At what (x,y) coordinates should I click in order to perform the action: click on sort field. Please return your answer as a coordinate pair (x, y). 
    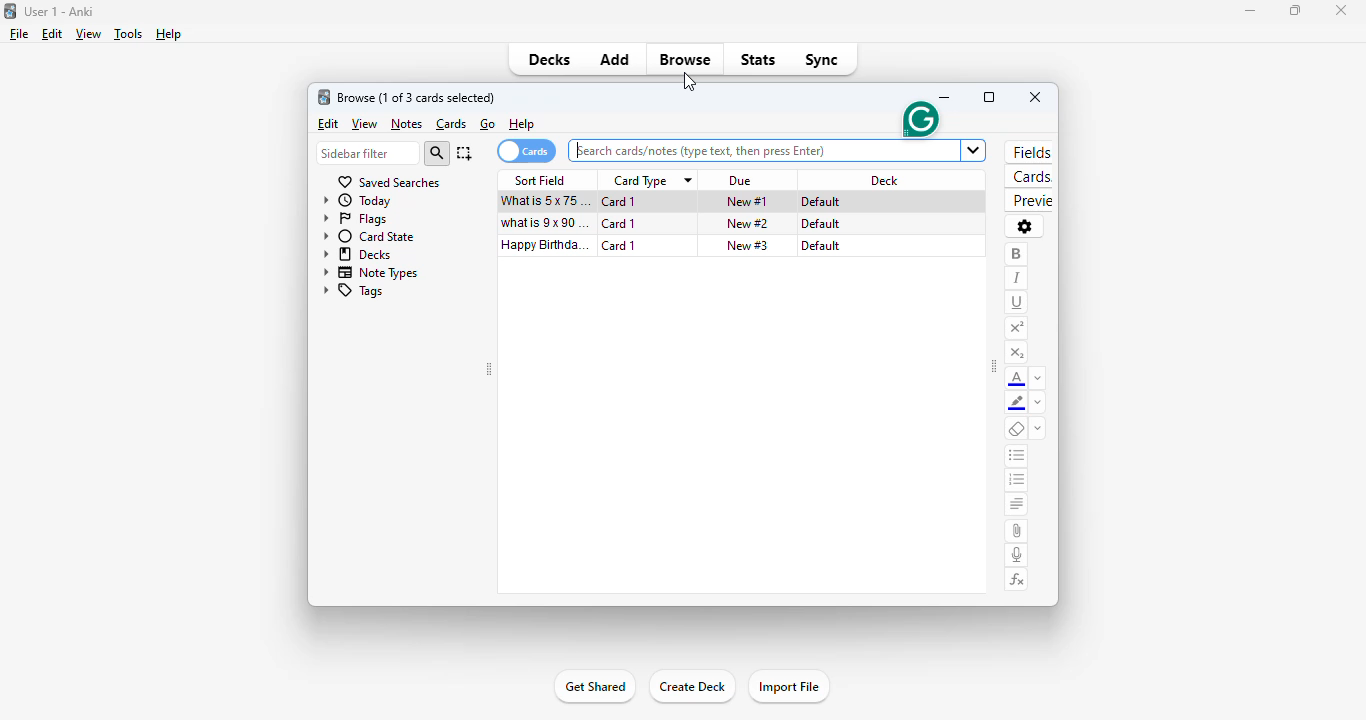
    Looking at the image, I should click on (540, 180).